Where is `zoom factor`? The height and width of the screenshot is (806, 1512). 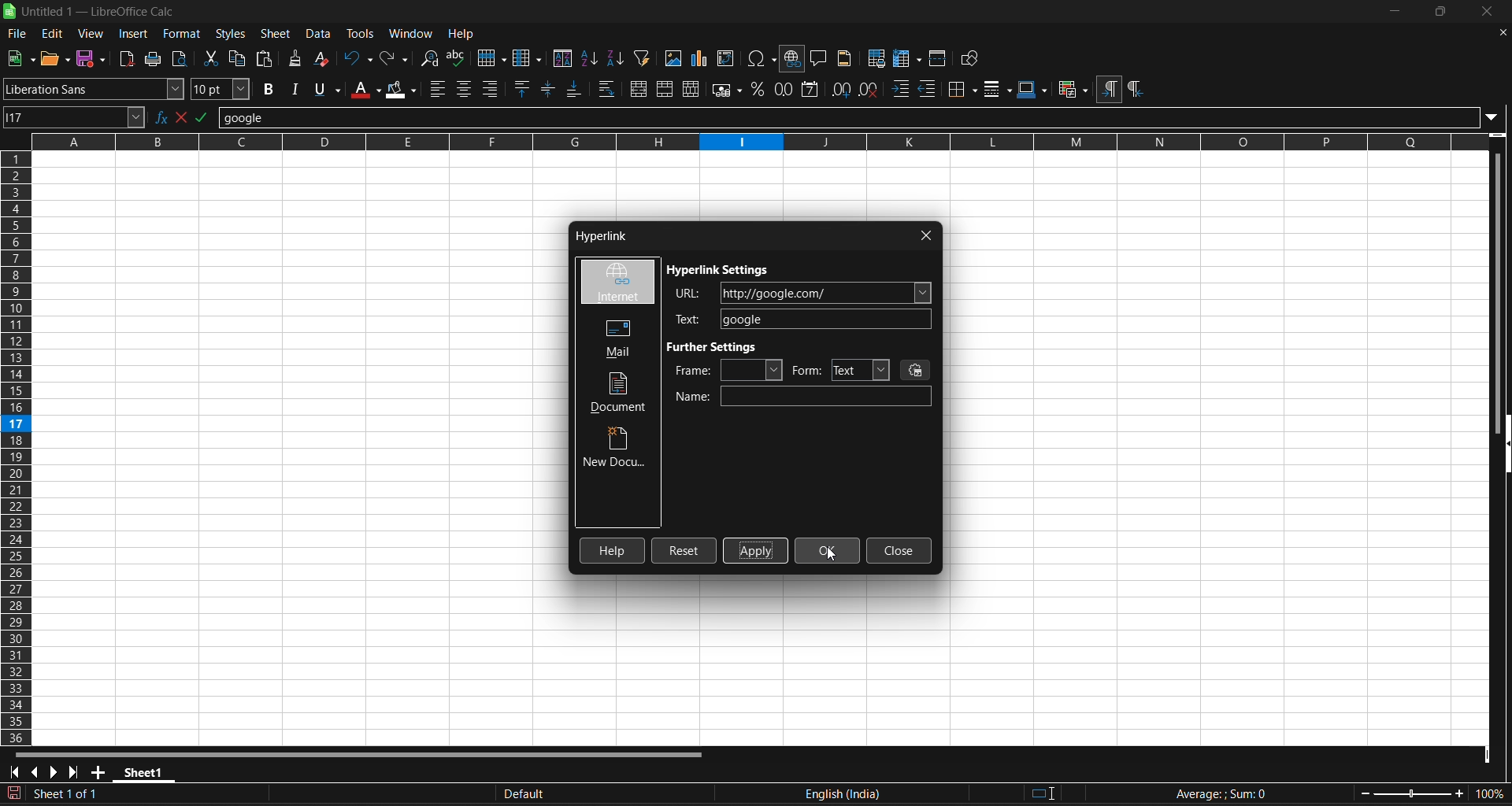 zoom factor is located at coordinates (1433, 793).